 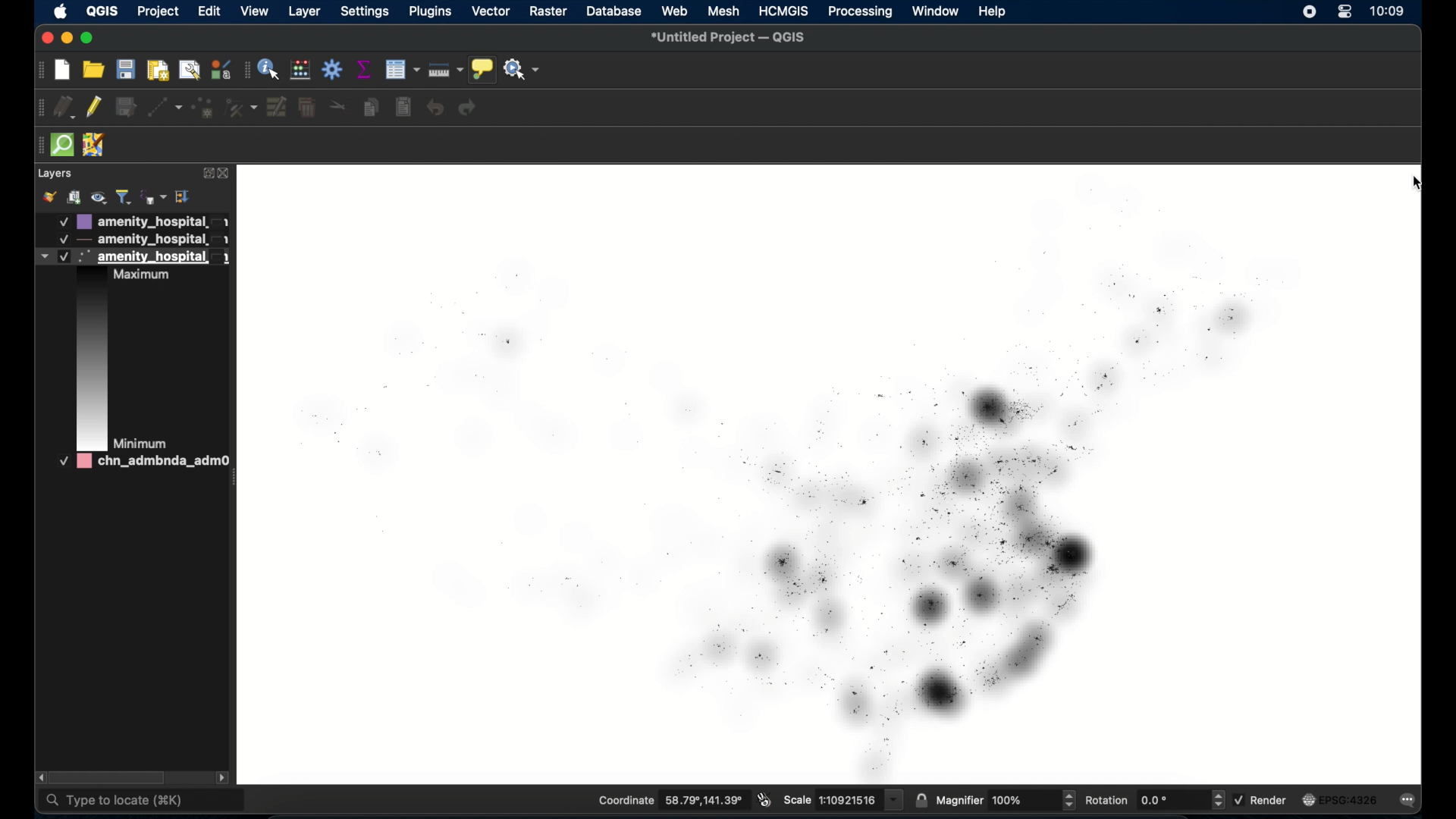 I want to click on open project, so click(x=93, y=70).